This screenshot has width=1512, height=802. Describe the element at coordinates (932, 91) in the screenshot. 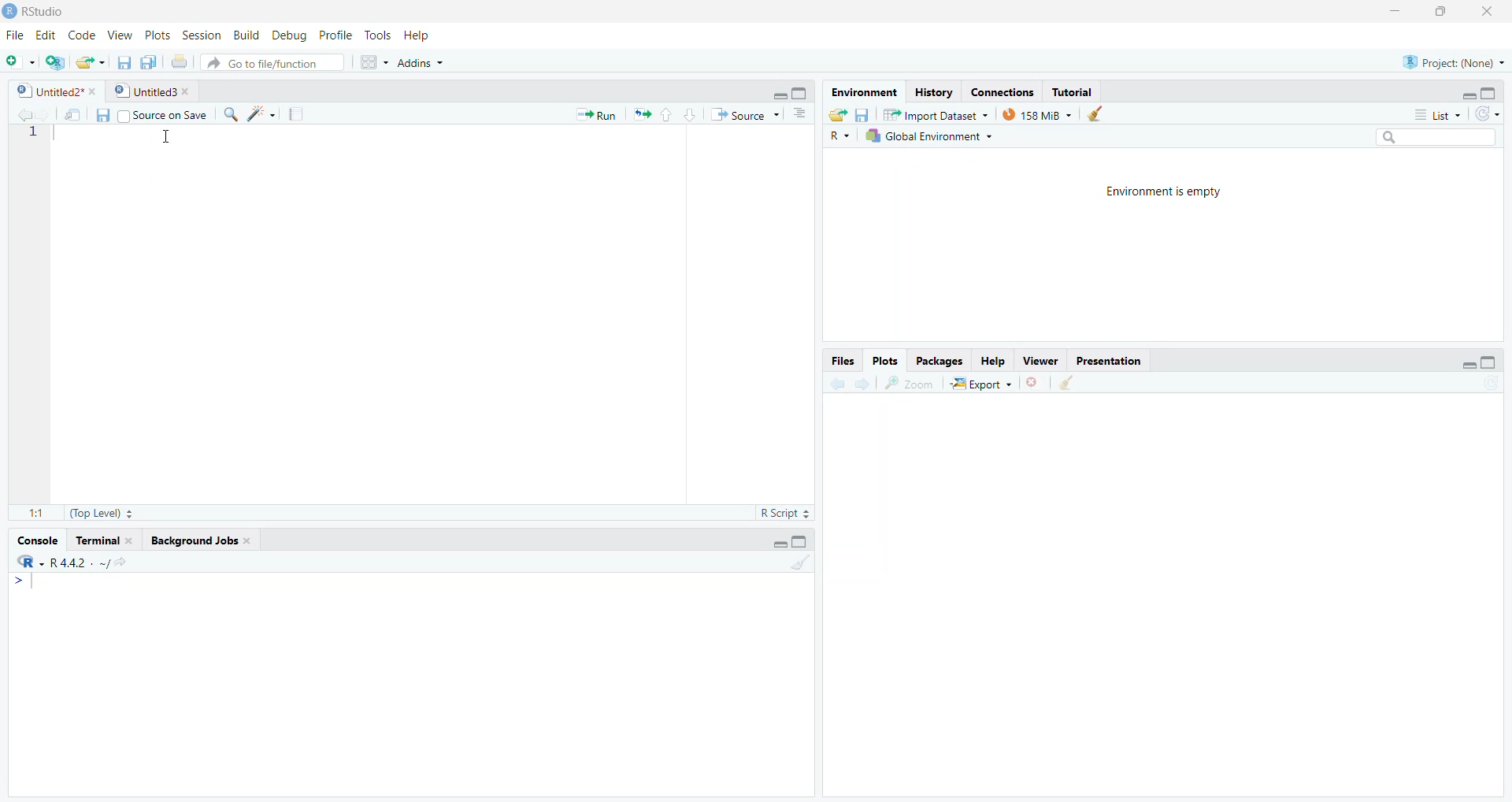

I see `History` at that location.